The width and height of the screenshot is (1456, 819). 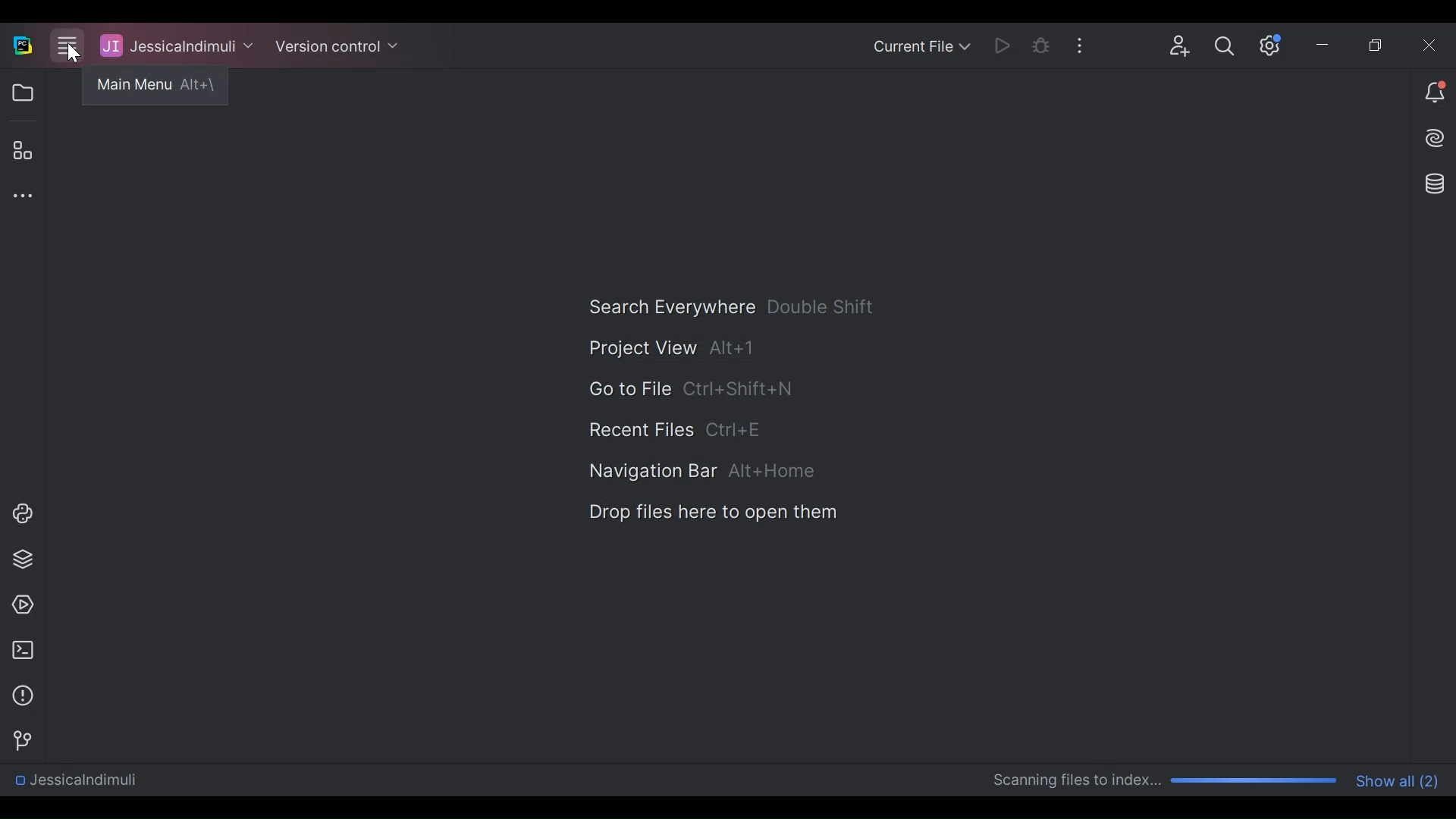 I want to click on More Tool window, so click(x=19, y=196).